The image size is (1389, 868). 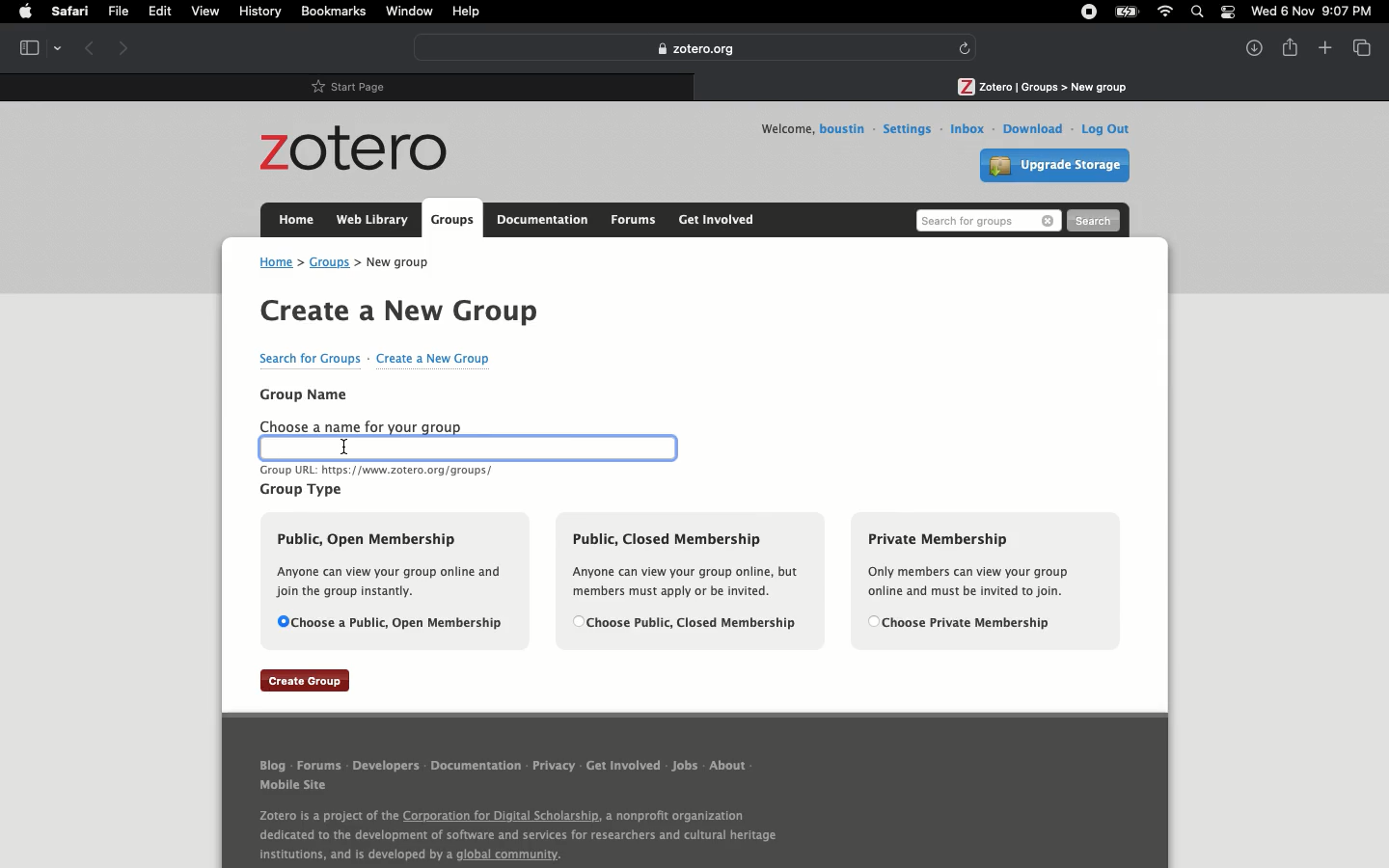 What do you see at coordinates (303, 490) in the screenshot?
I see `Group type` at bounding box center [303, 490].